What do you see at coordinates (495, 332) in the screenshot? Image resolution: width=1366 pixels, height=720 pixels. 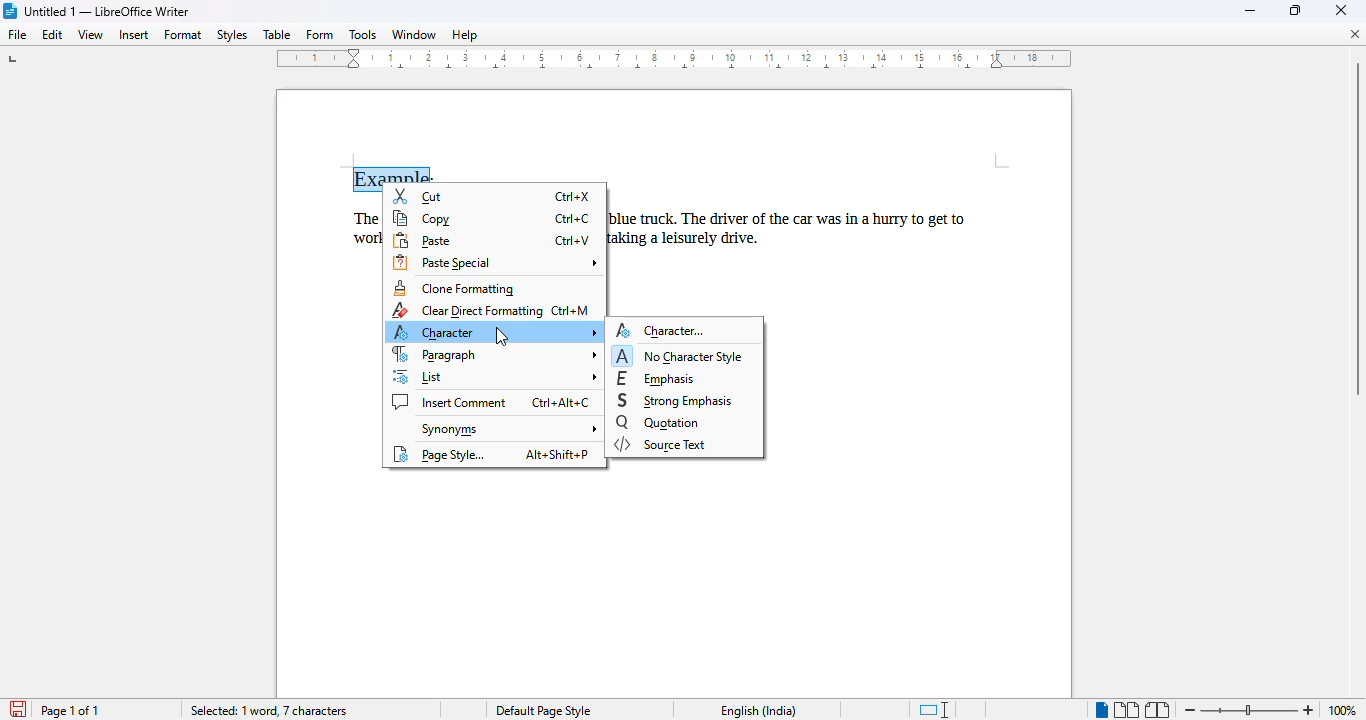 I see `character` at bounding box center [495, 332].